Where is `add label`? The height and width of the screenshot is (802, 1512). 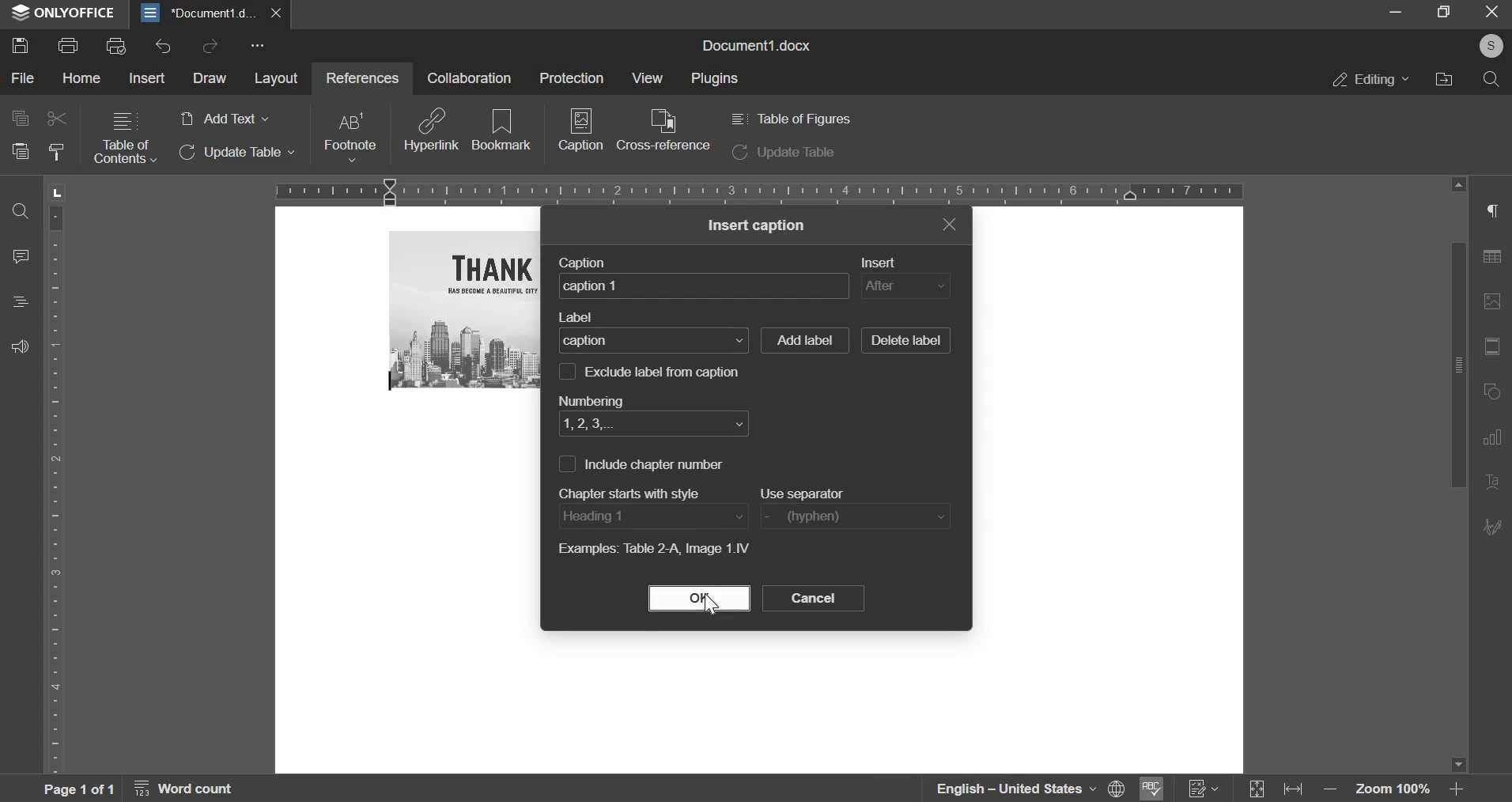 add label is located at coordinates (803, 340).